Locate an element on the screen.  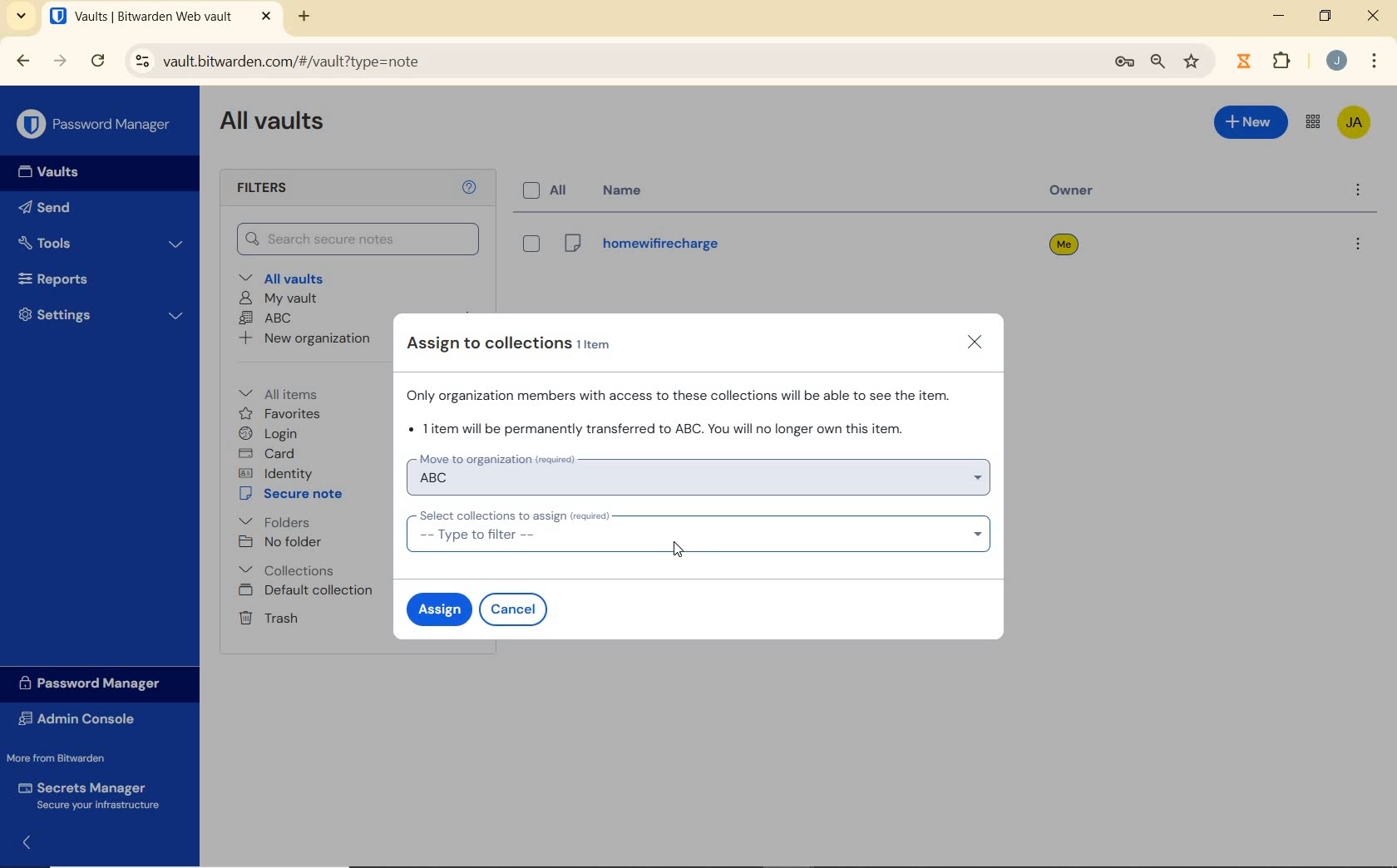
New is located at coordinates (1251, 126).